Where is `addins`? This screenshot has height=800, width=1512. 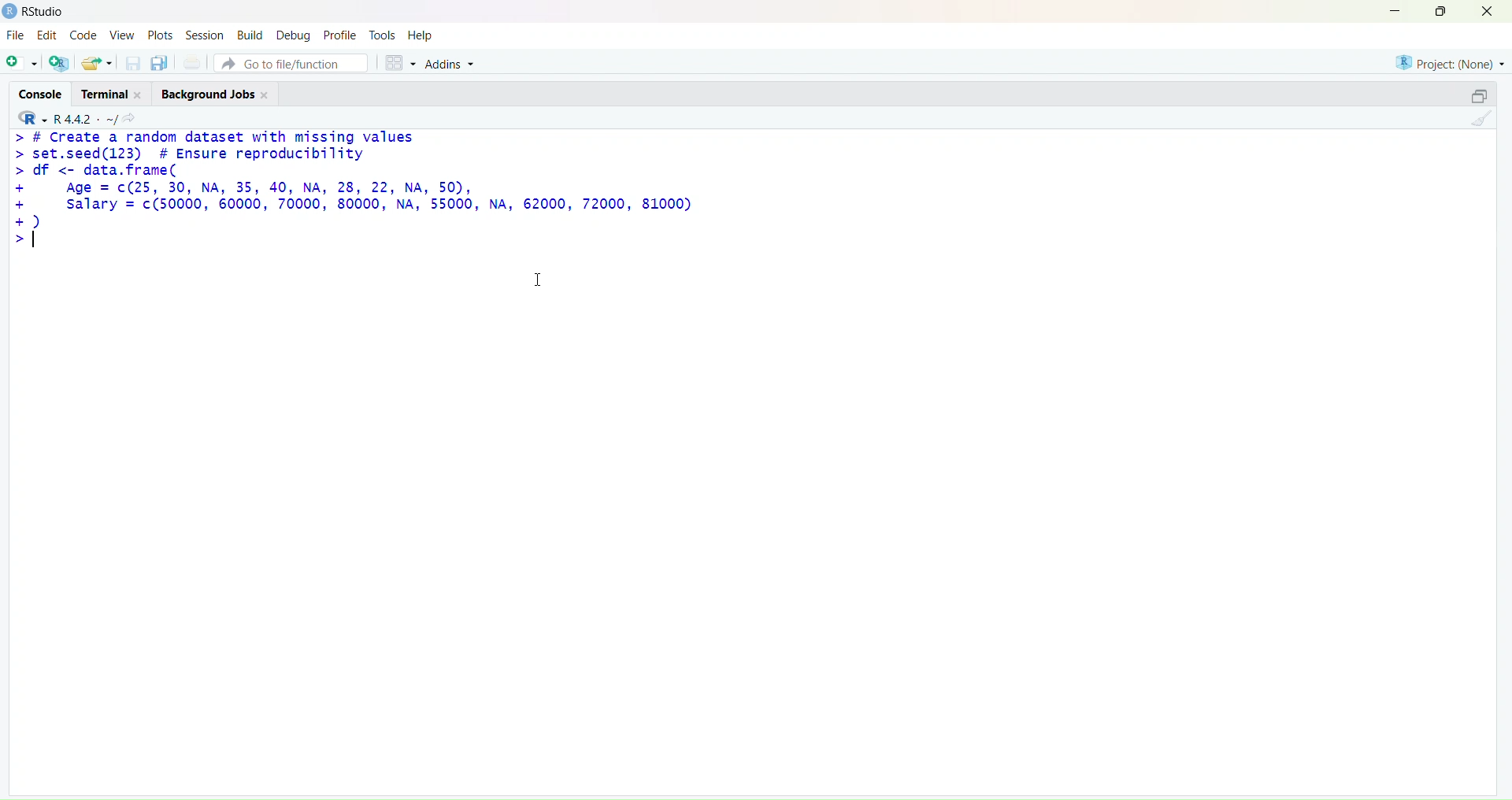 addins is located at coordinates (454, 67).